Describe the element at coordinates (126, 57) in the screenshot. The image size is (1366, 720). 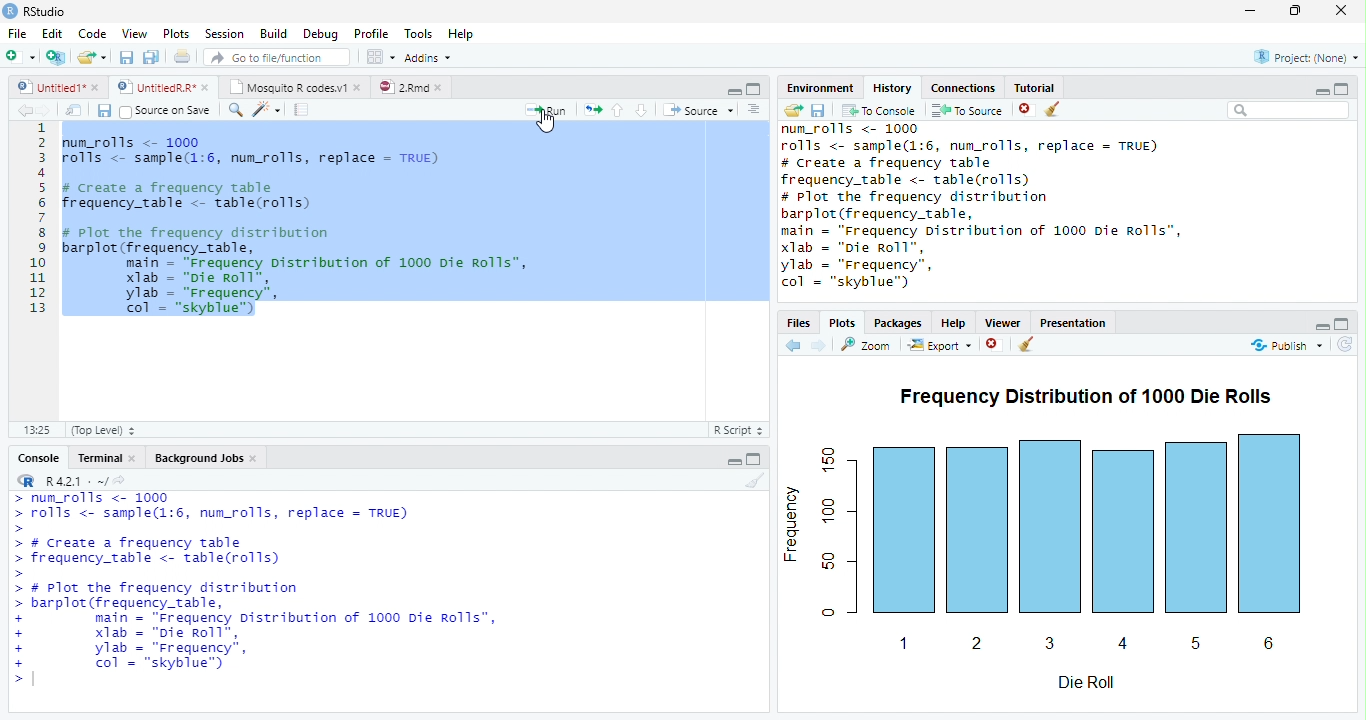
I see `Save current file` at that location.